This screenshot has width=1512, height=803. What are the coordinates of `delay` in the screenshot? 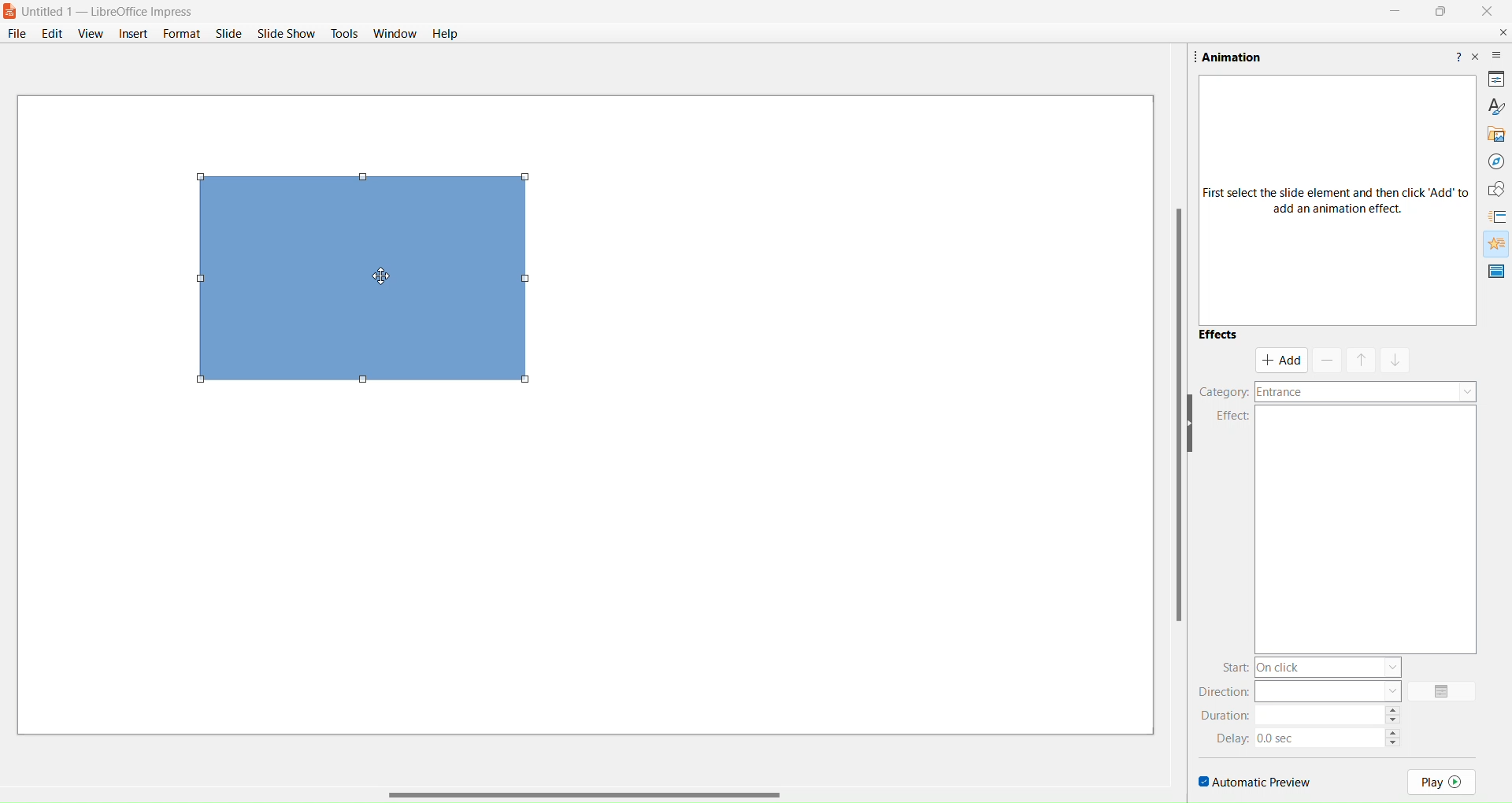 It's located at (1234, 738).